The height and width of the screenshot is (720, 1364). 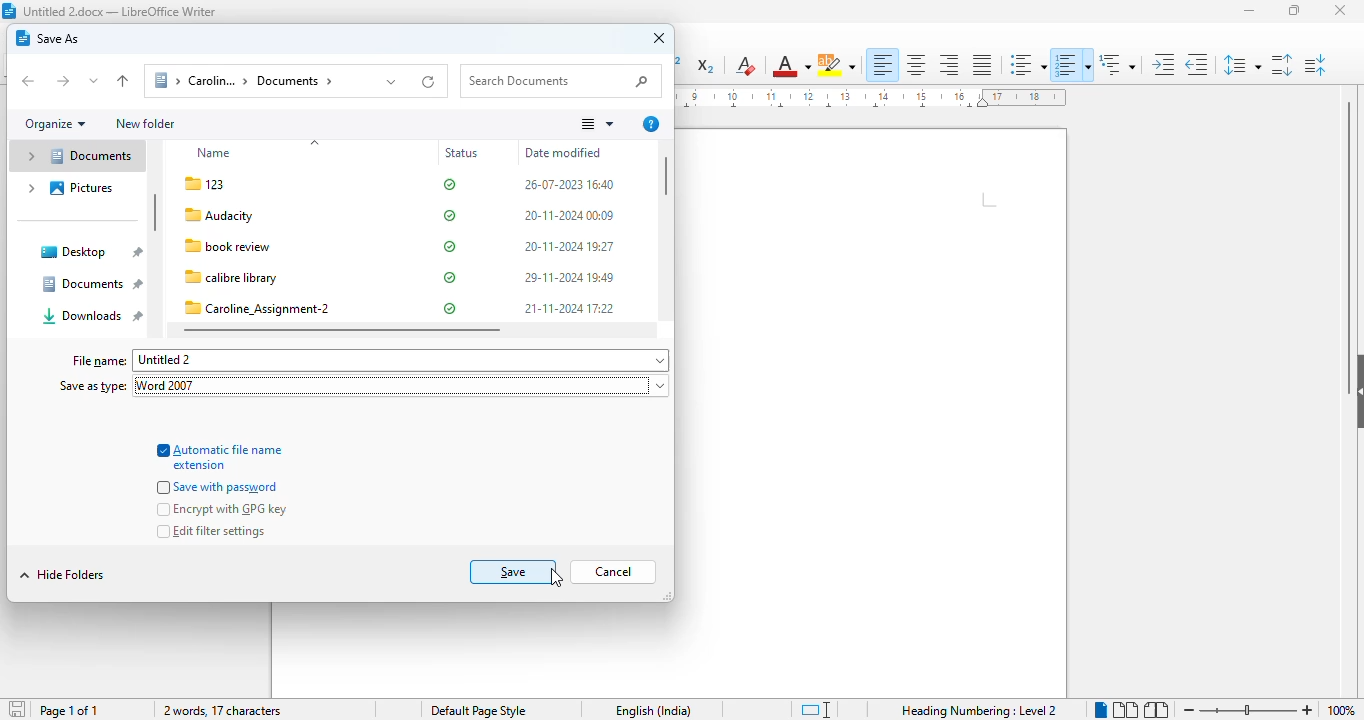 What do you see at coordinates (1352, 218) in the screenshot?
I see `vertical scroll bar` at bounding box center [1352, 218].